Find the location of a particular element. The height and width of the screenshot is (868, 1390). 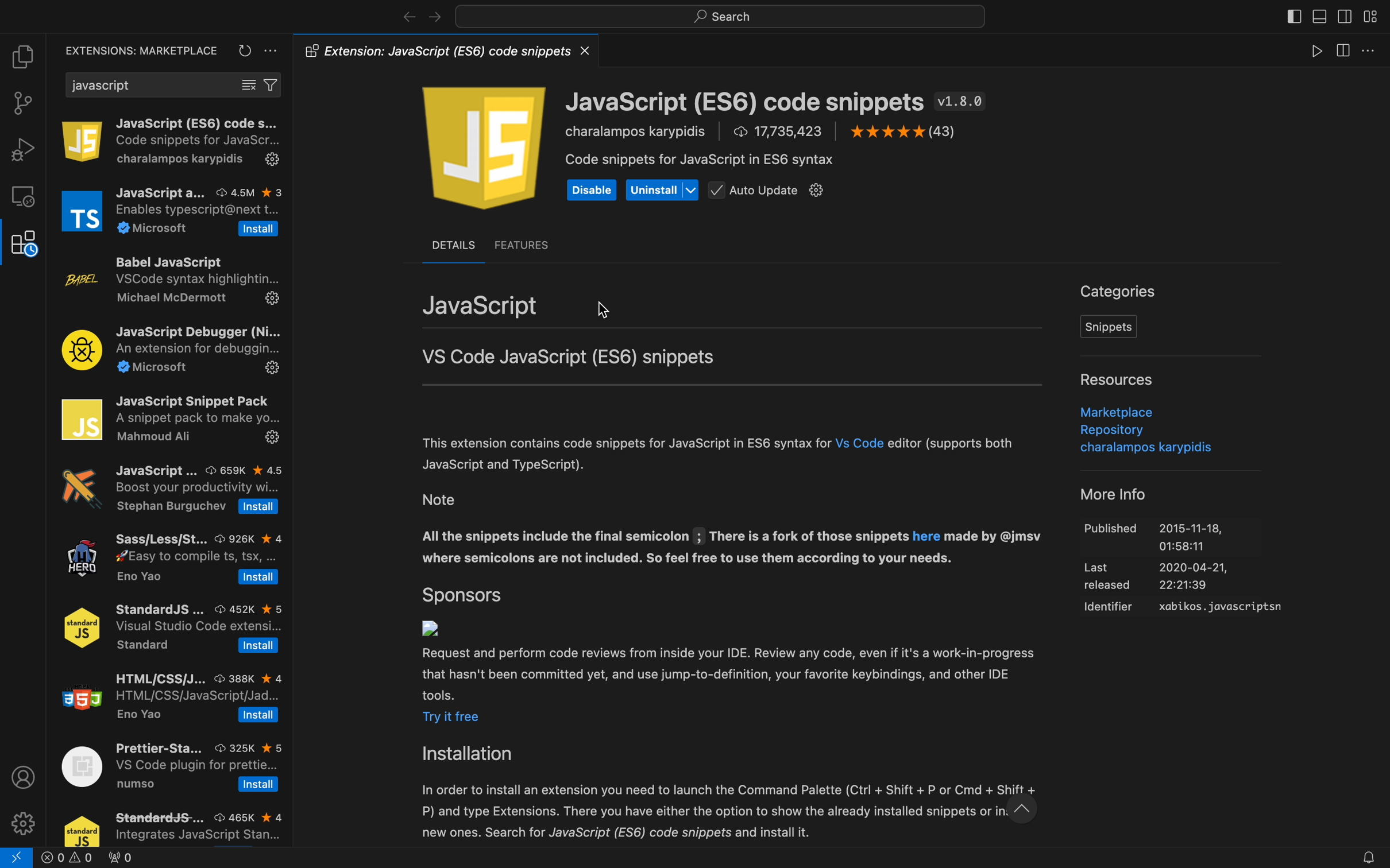

More Info is located at coordinates (1128, 496).